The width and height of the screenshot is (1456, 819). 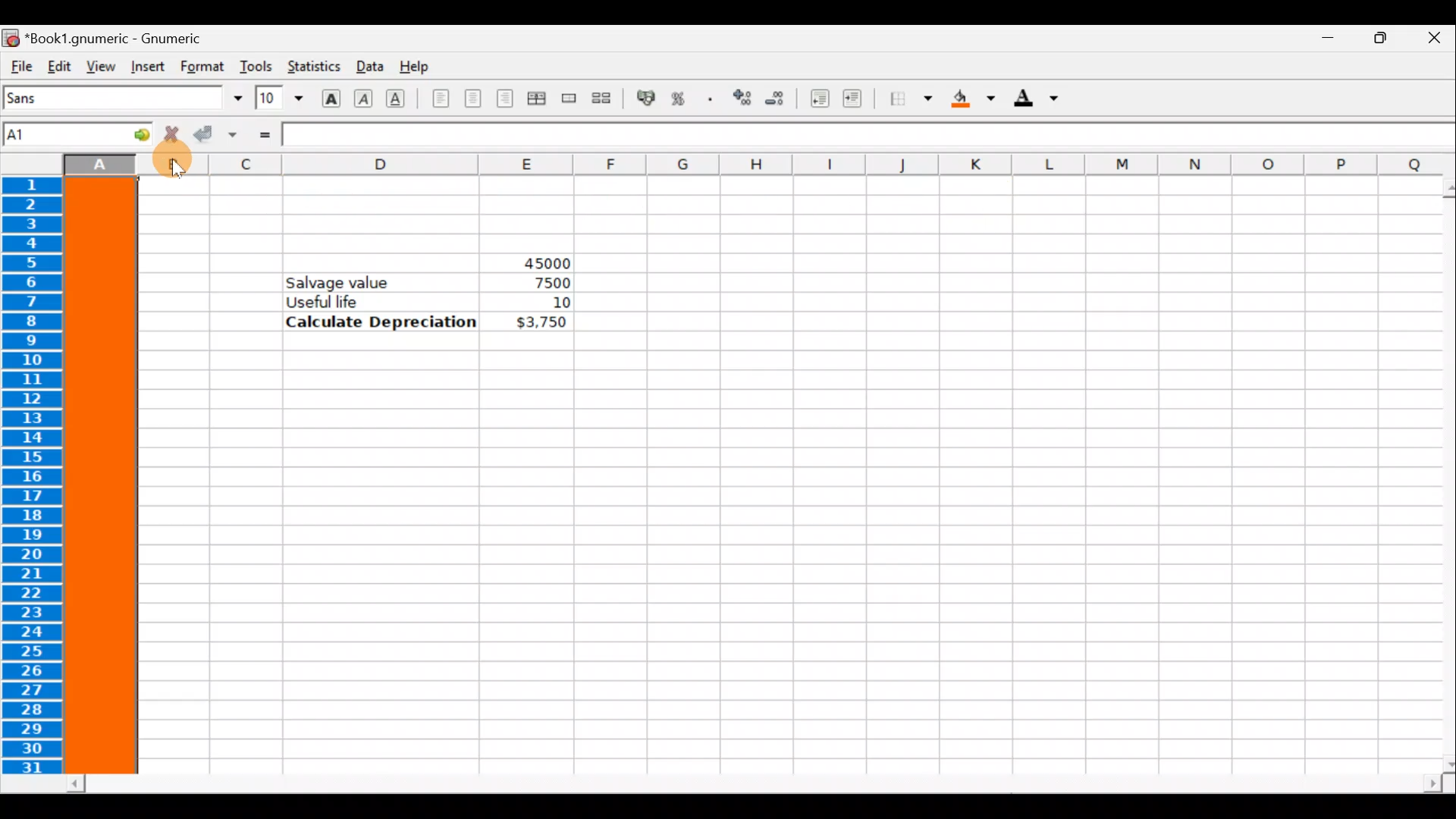 What do you see at coordinates (275, 99) in the screenshot?
I see `Font size 10` at bounding box center [275, 99].